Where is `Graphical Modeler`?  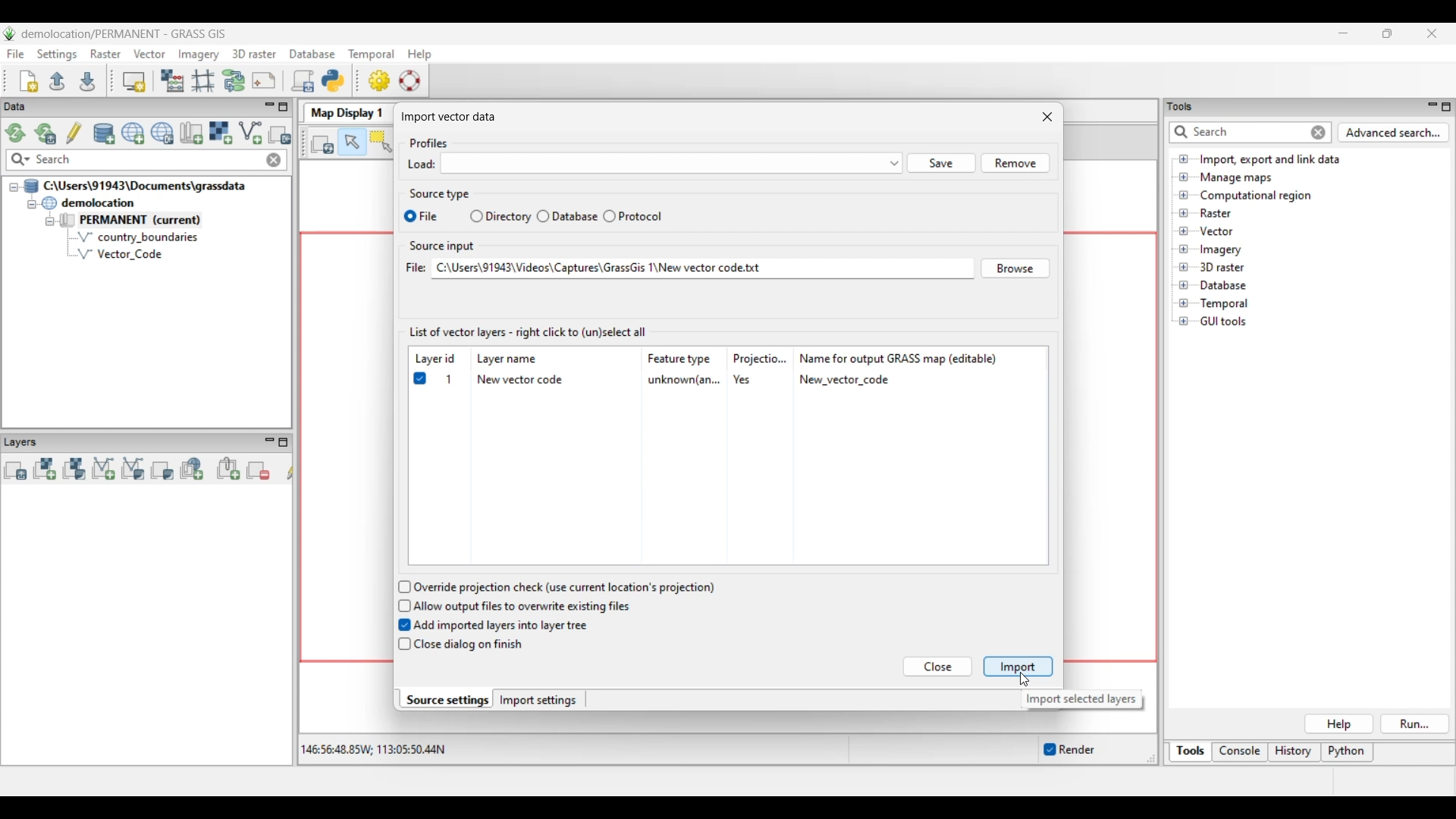
Graphical Modeler is located at coordinates (234, 80).